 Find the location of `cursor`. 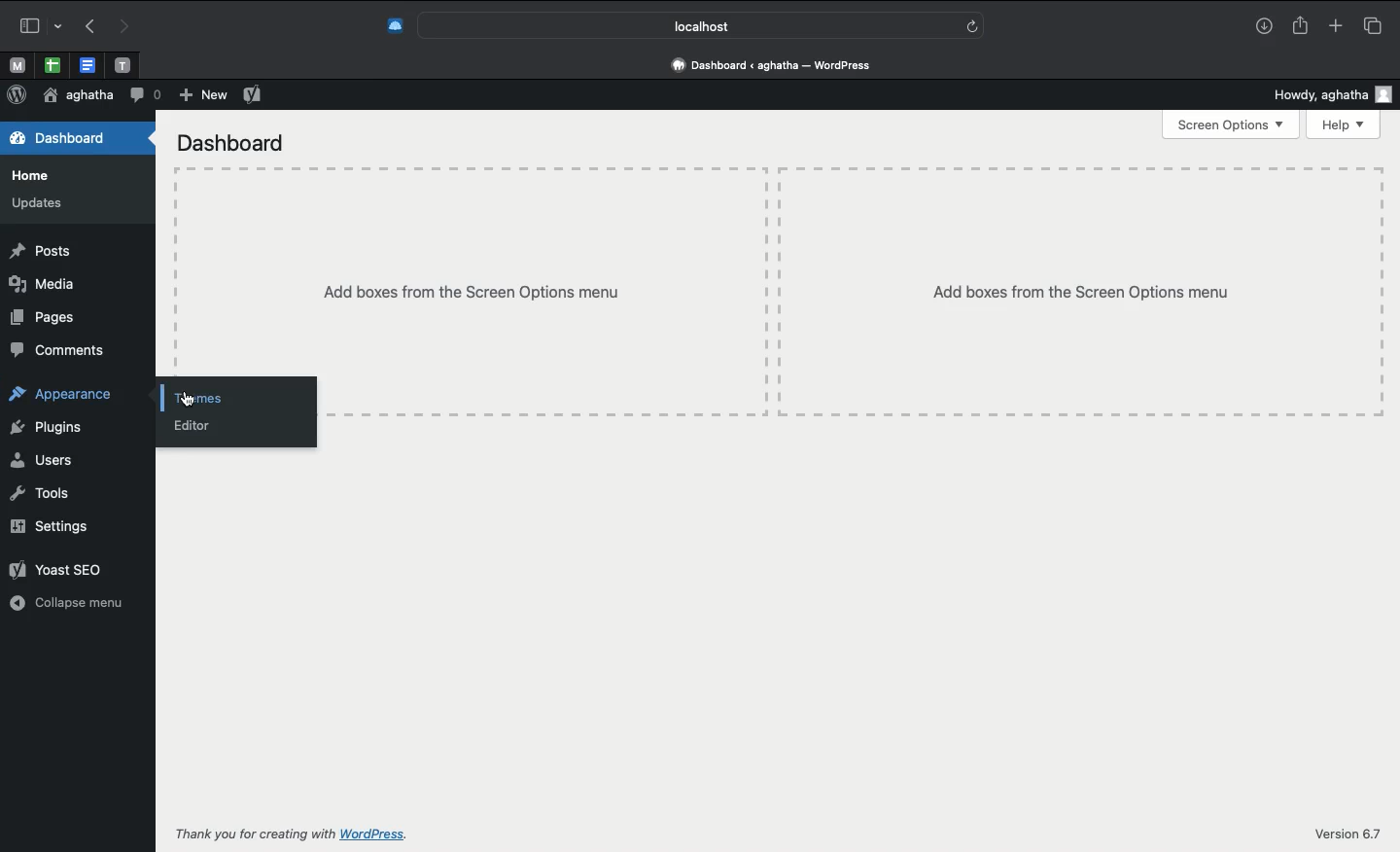

cursor is located at coordinates (187, 393).